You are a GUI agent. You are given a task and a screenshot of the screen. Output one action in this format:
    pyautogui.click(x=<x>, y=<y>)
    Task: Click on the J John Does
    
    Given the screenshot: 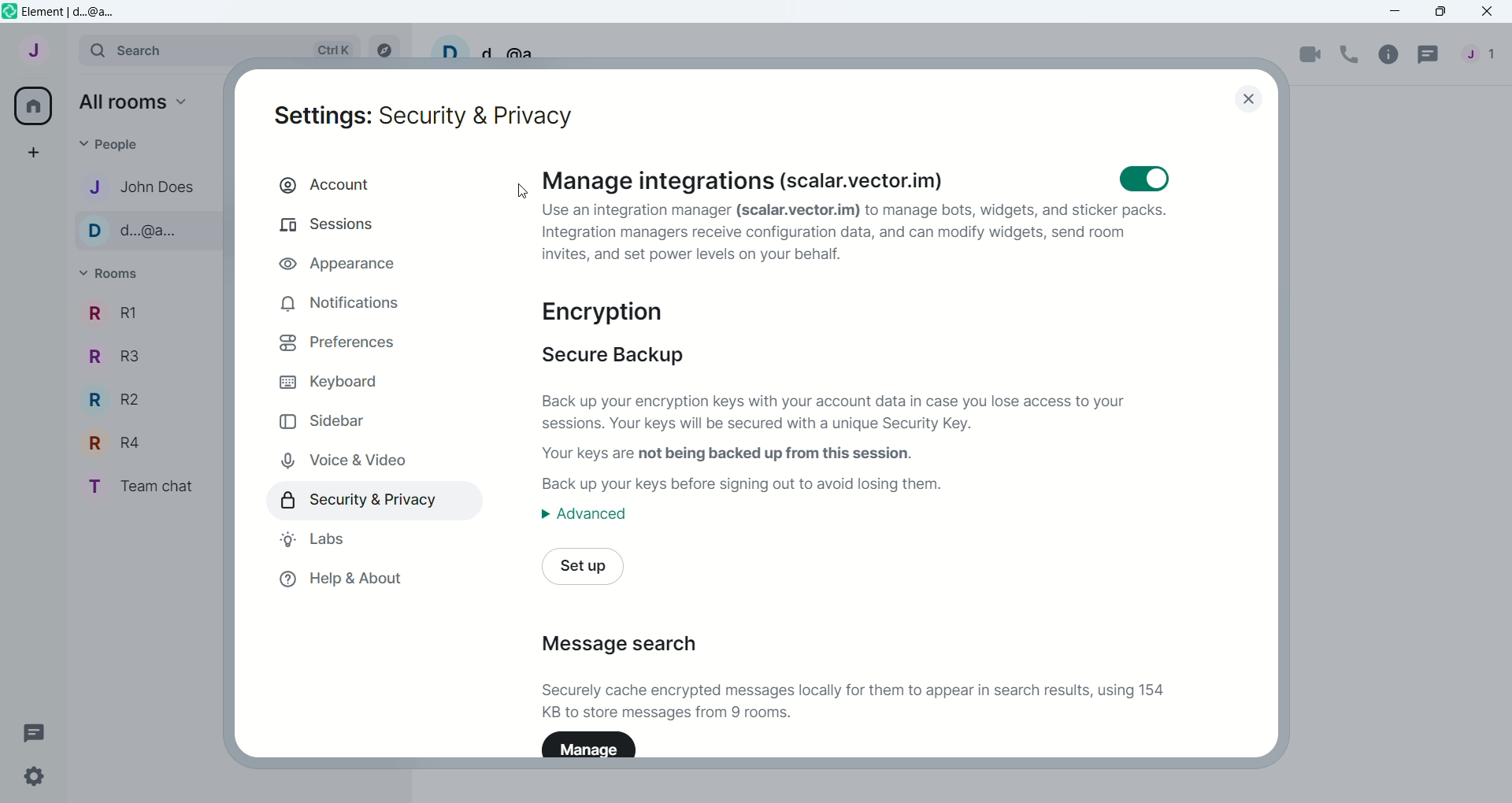 What is the action you would take?
    pyautogui.click(x=141, y=187)
    